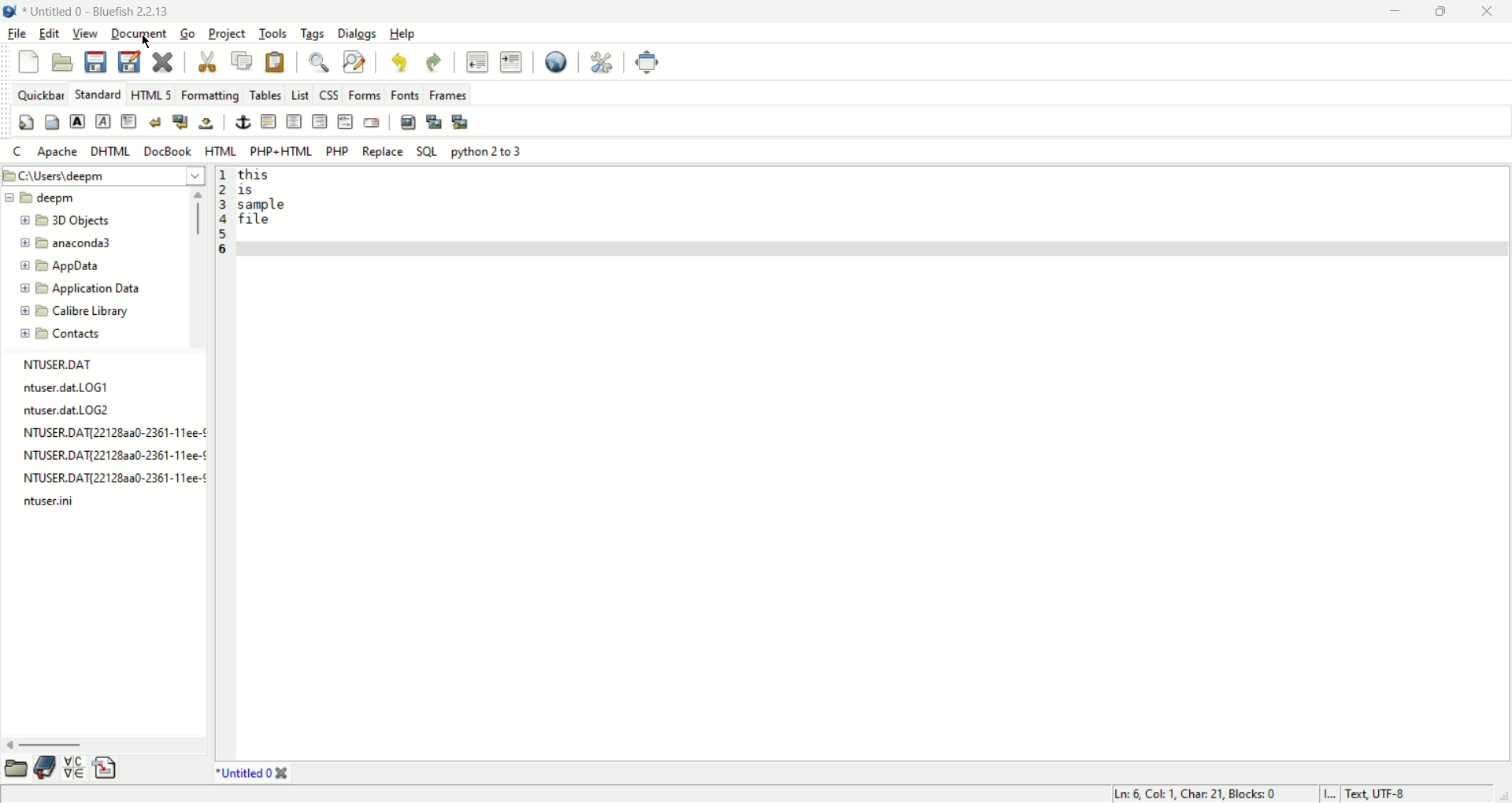  Describe the element at coordinates (180, 120) in the screenshot. I see `break and clear` at that location.